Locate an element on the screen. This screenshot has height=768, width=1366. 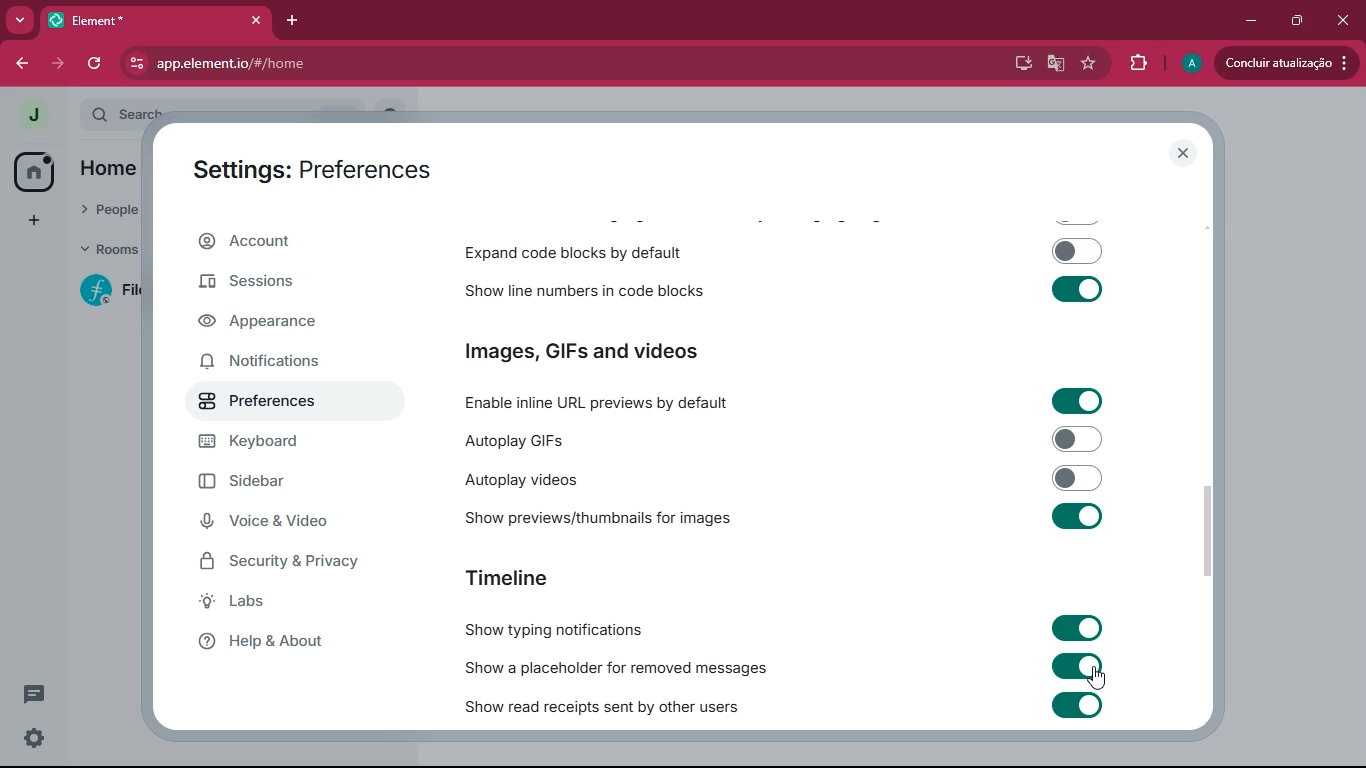
notifications is located at coordinates (276, 363).